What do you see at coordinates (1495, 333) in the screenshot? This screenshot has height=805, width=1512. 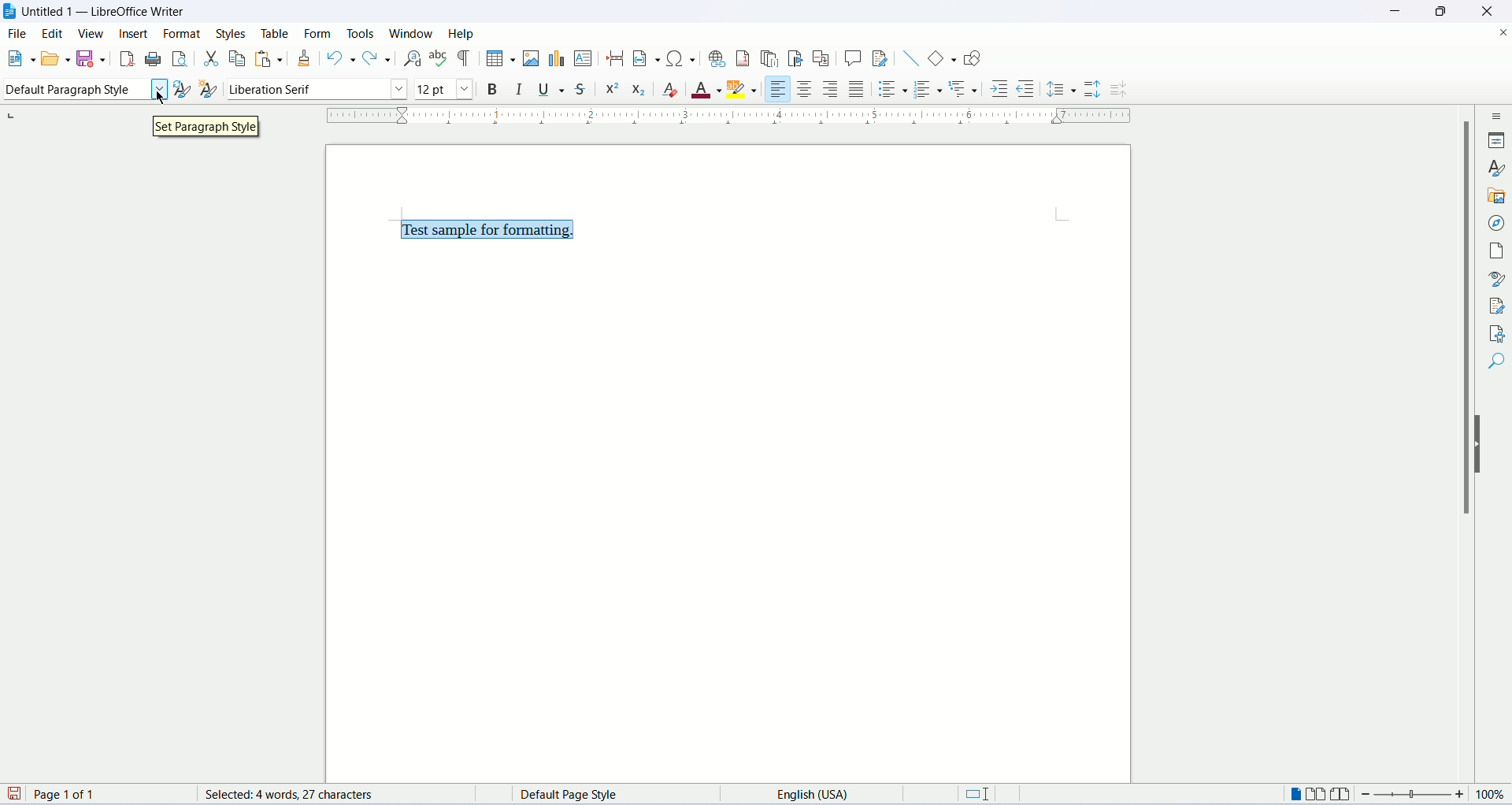 I see `check accessibility` at bounding box center [1495, 333].